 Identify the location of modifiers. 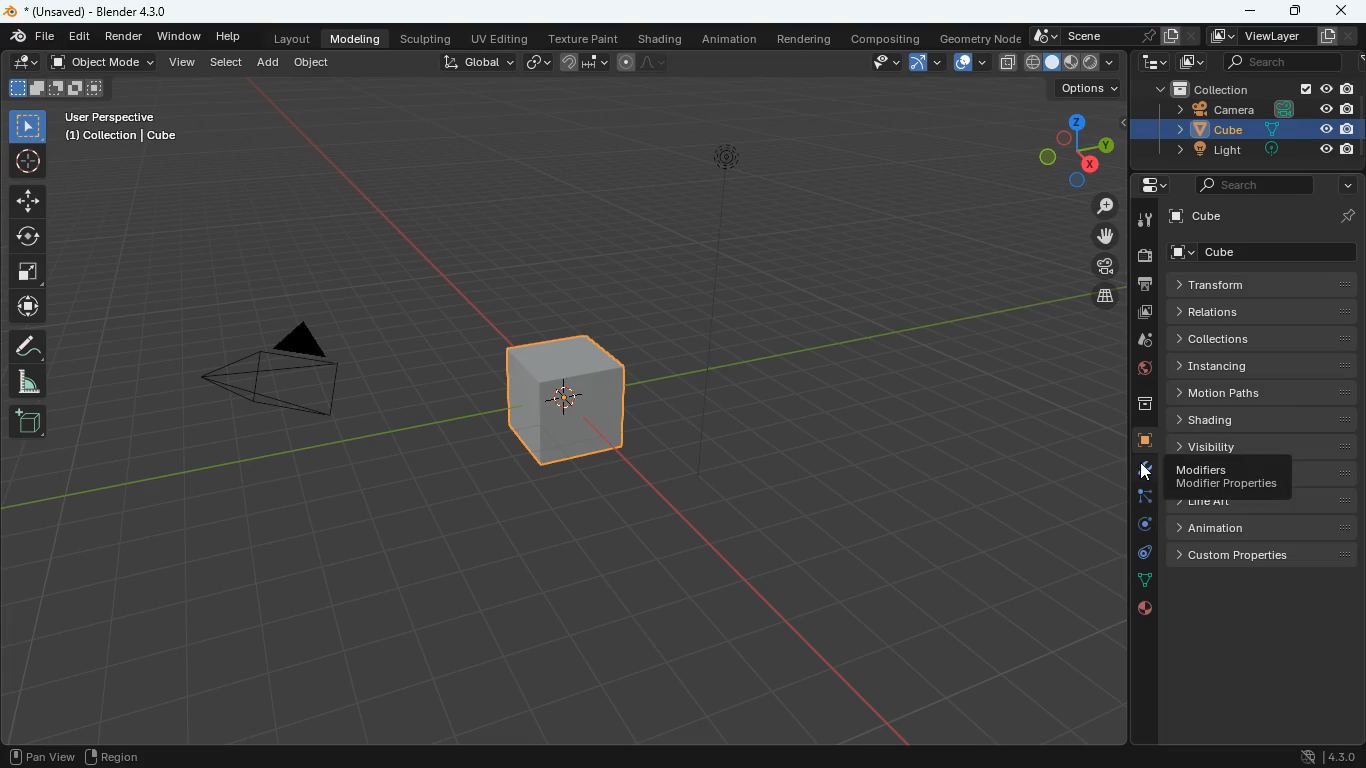
(1141, 471).